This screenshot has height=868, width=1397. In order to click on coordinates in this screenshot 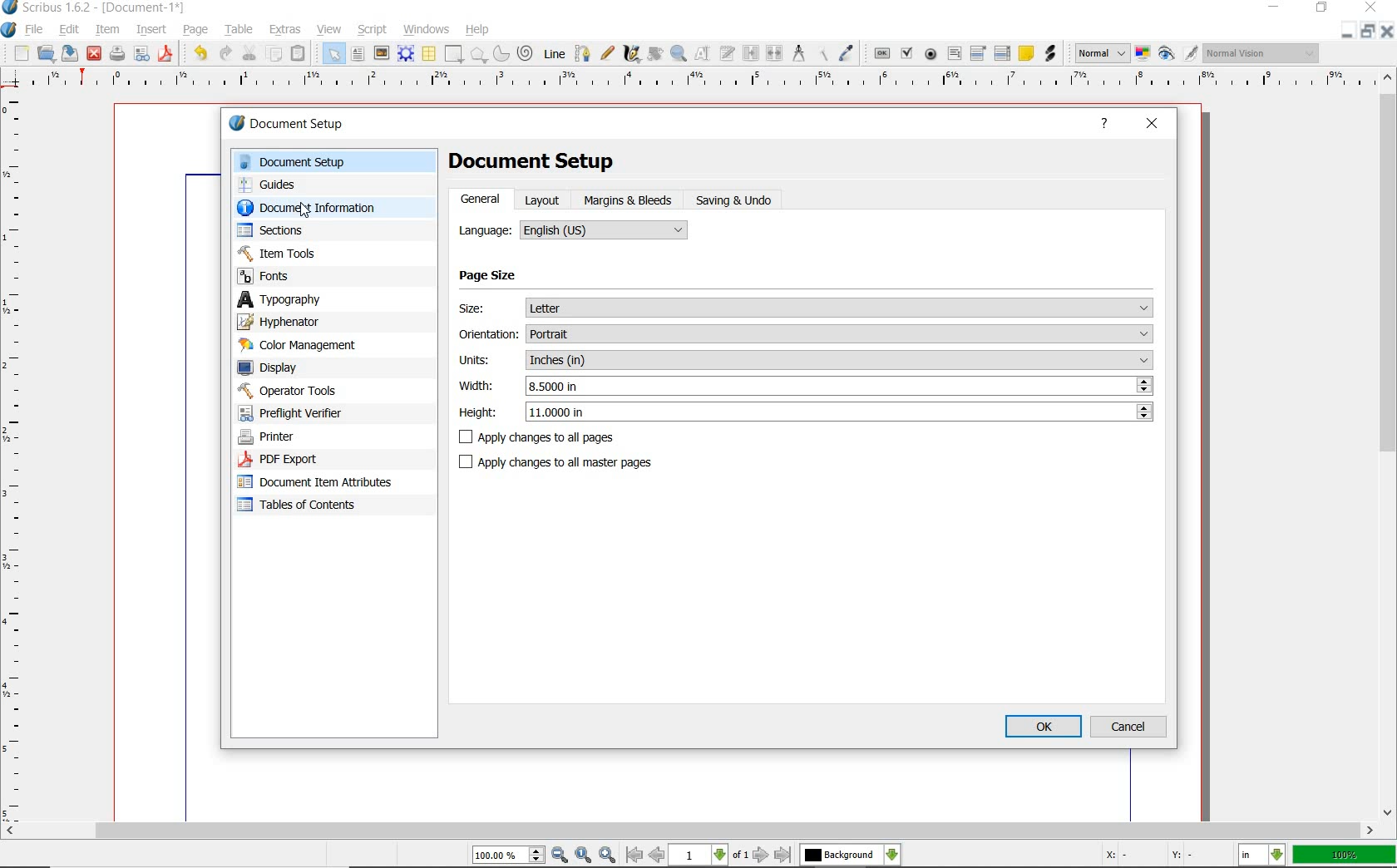, I will do `click(1147, 856)`.